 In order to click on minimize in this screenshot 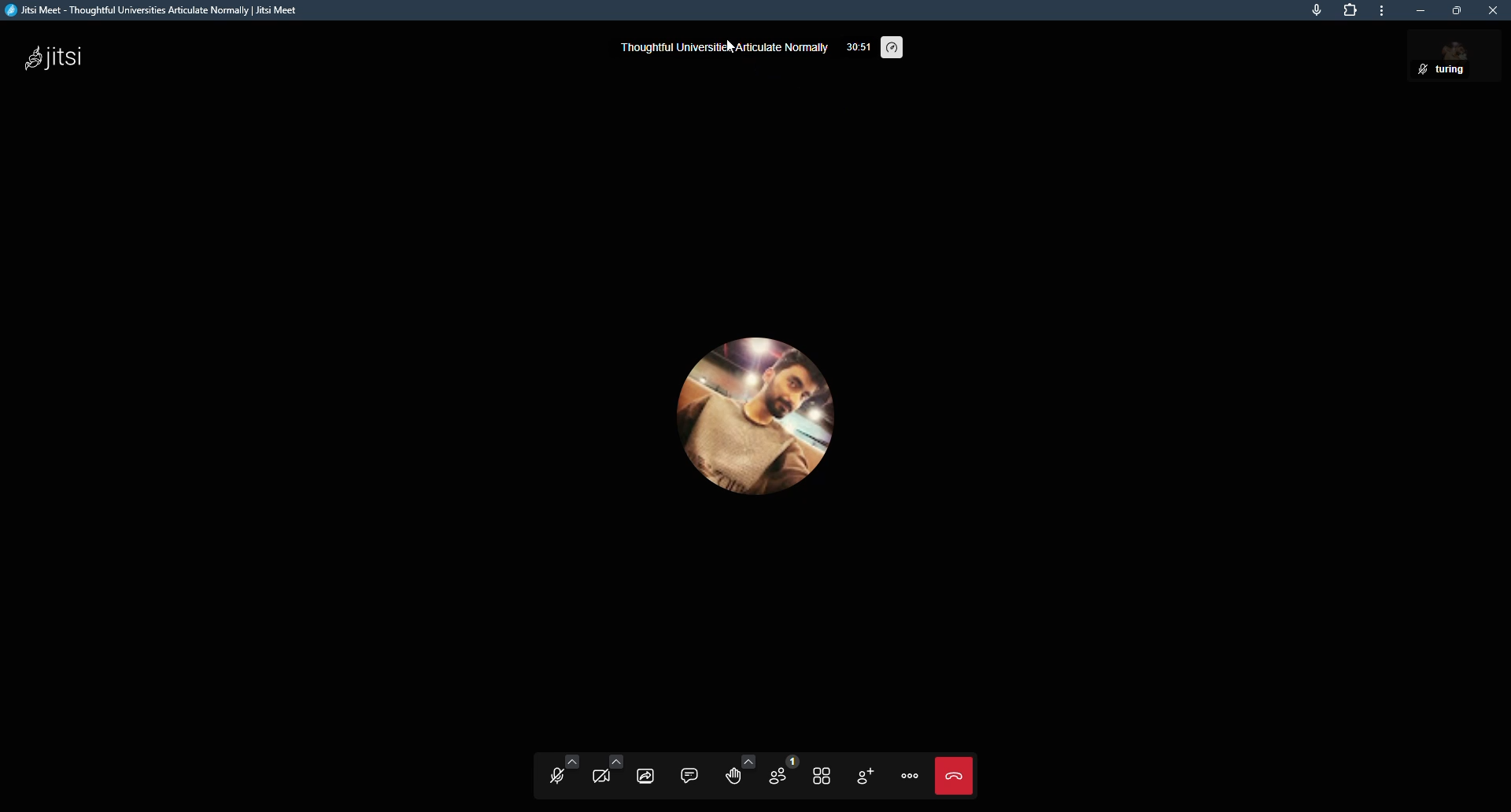, I will do `click(1420, 11)`.